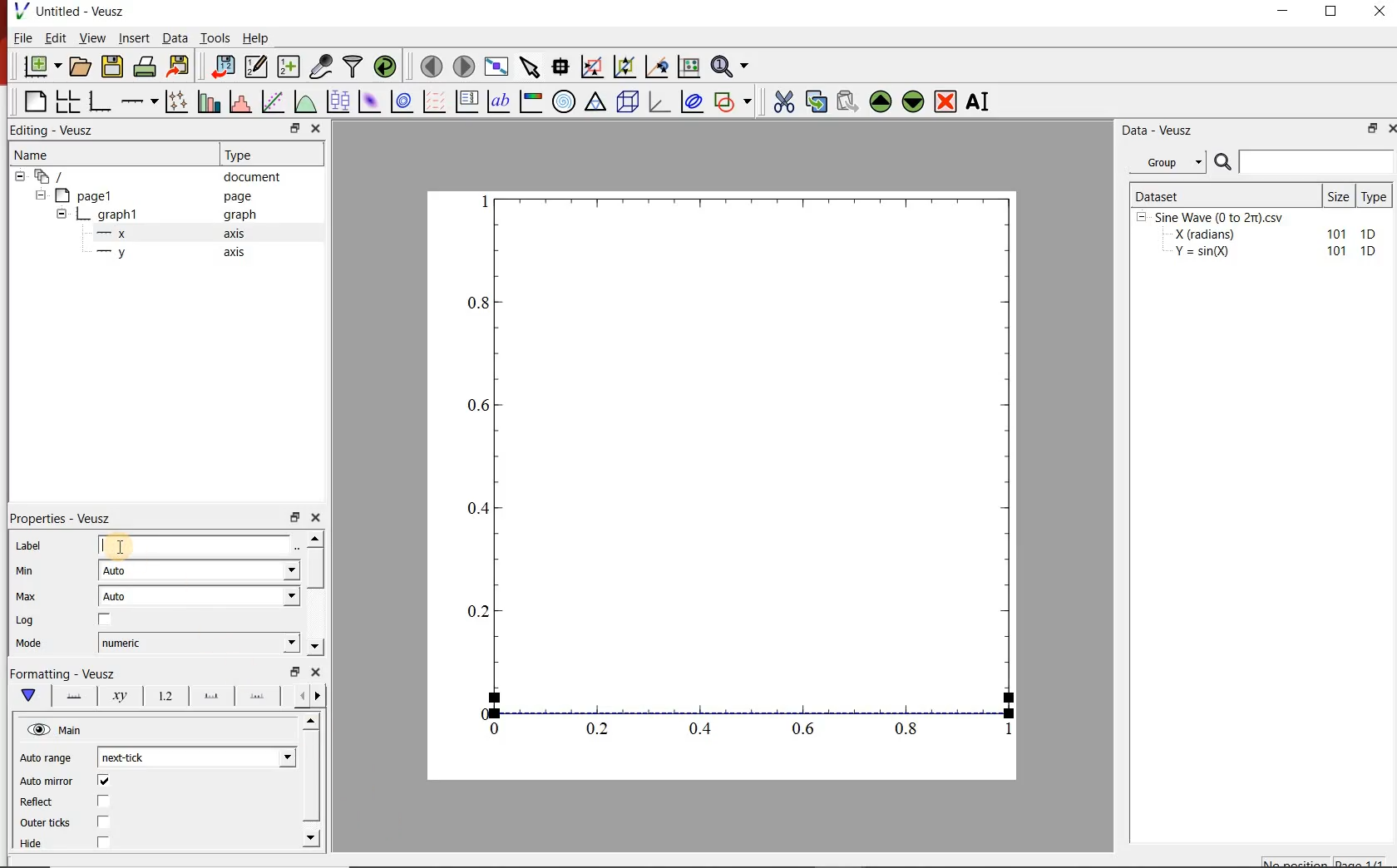 This screenshot has width=1397, height=868. Describe the element at coordinates (81, 11) in the screenshot. I see `Untitled - Veusz` at that location.